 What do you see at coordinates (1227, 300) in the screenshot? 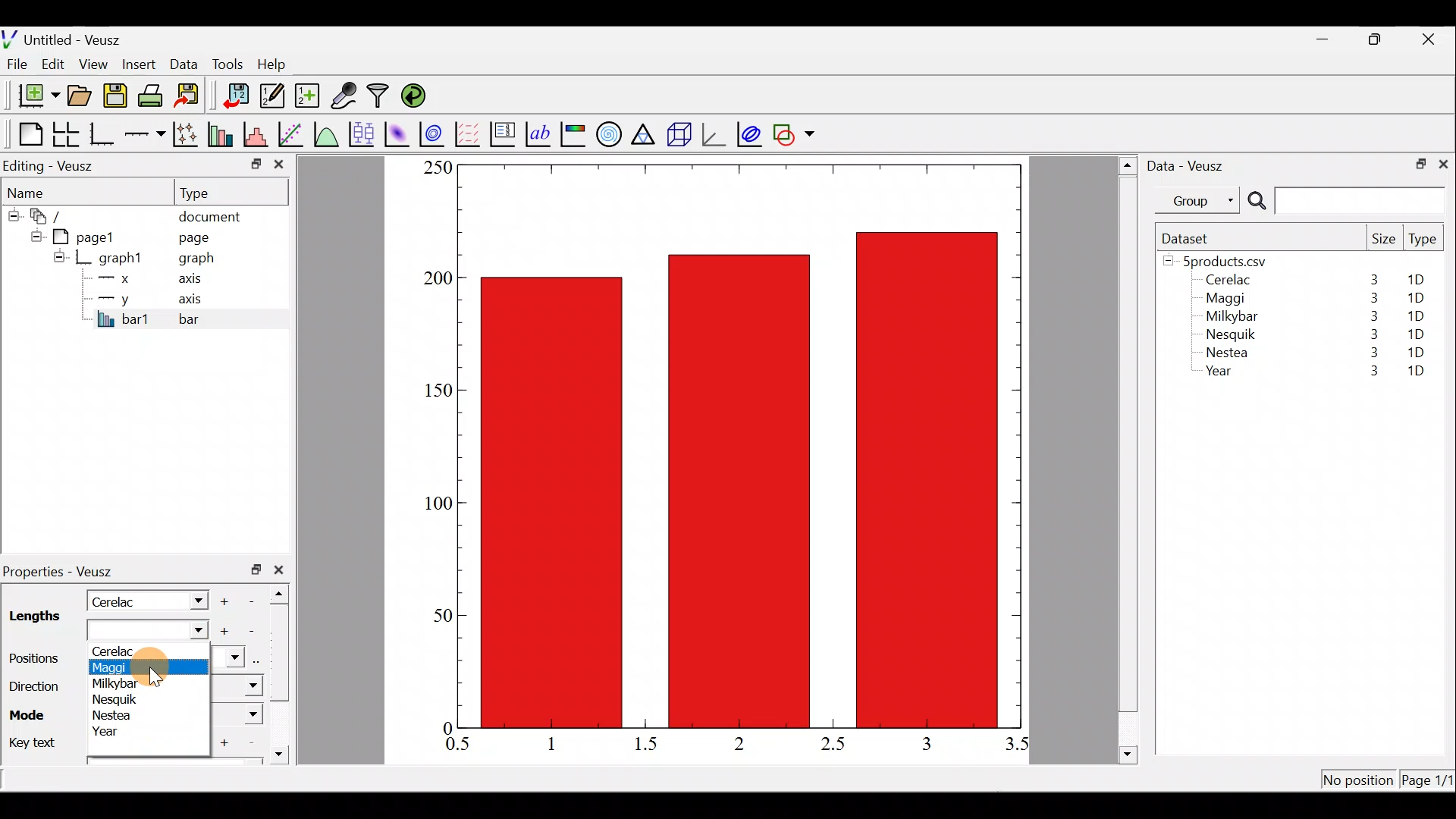
I see `Maggi` at bounding box center [1227, 300].